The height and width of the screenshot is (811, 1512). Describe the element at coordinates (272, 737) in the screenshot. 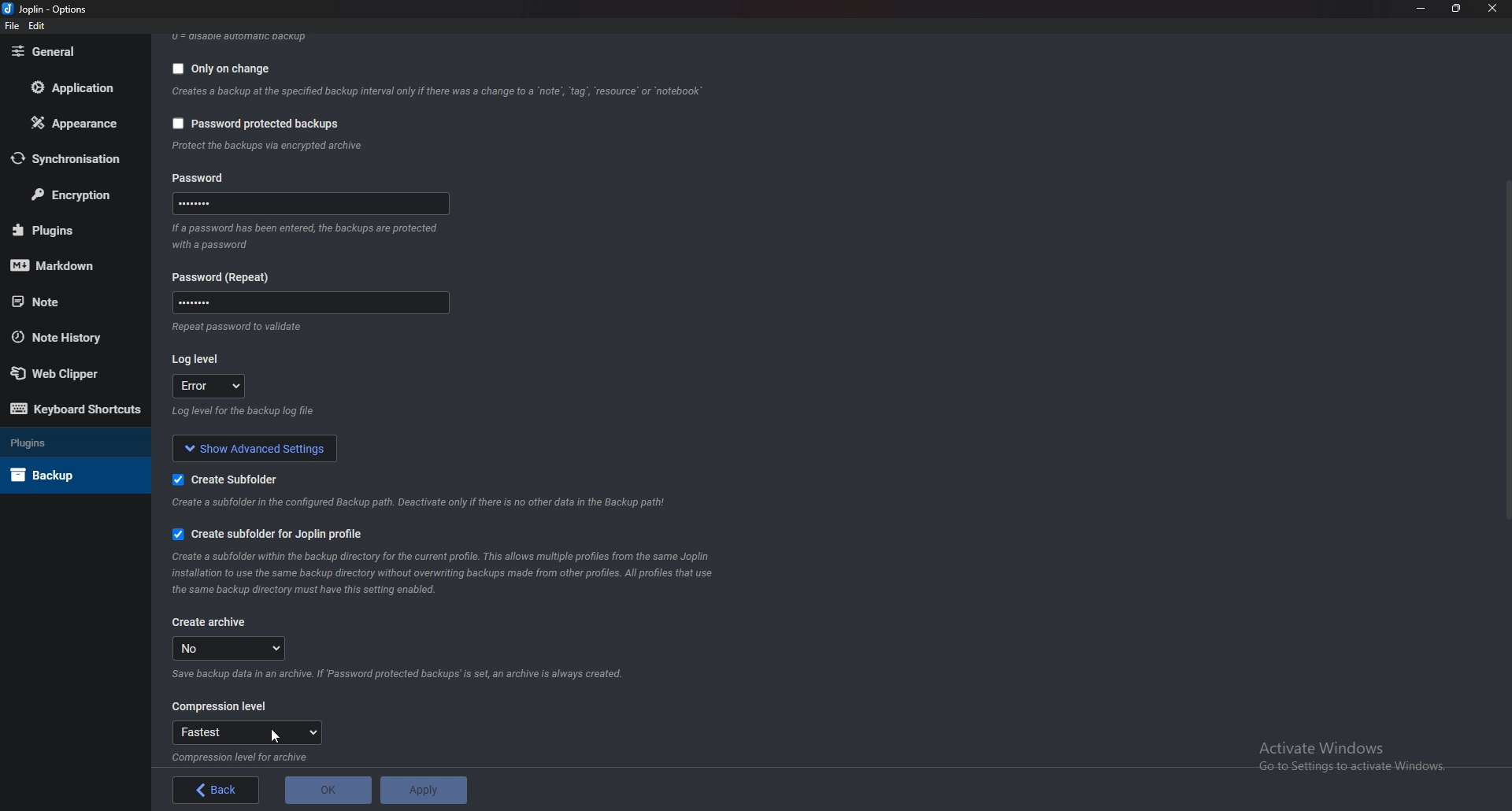

I see `cursor` at that location.